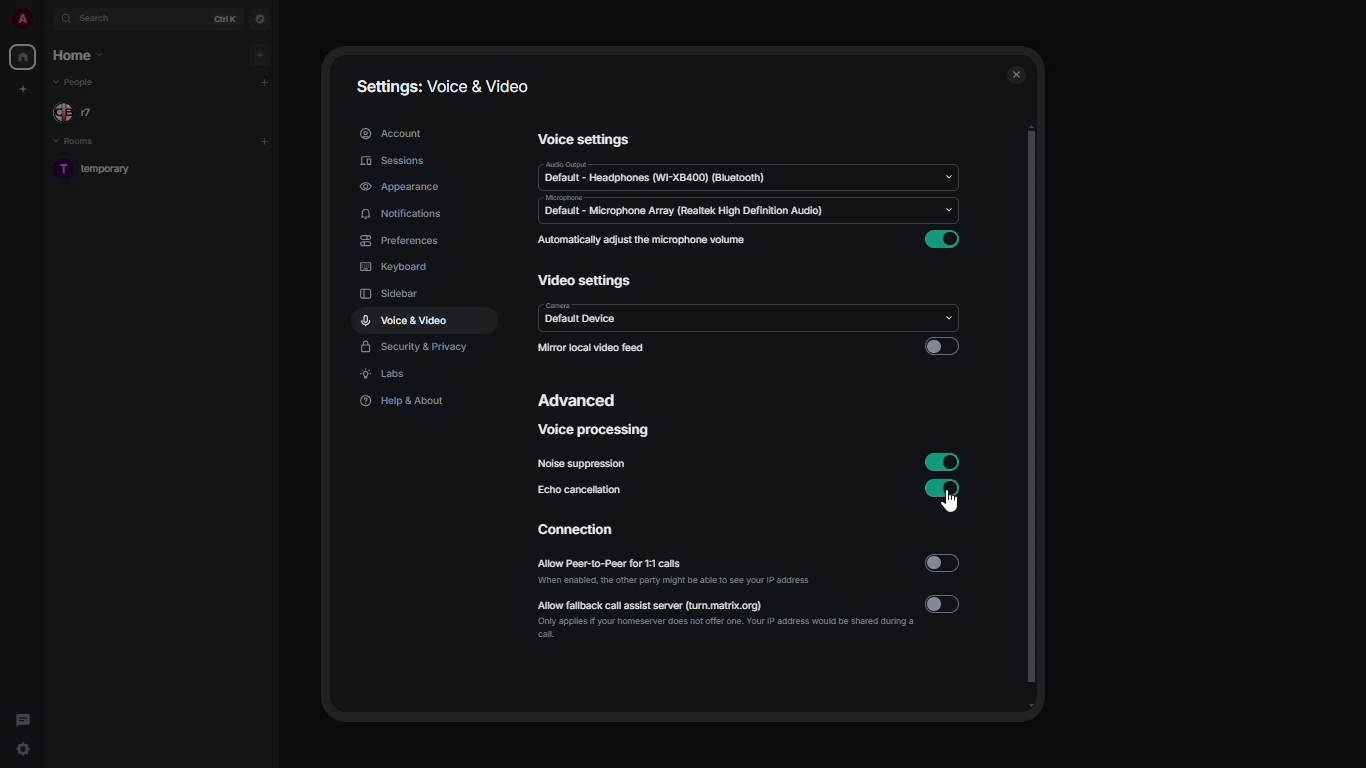  I want to click on sidebar, so click(395, 293).